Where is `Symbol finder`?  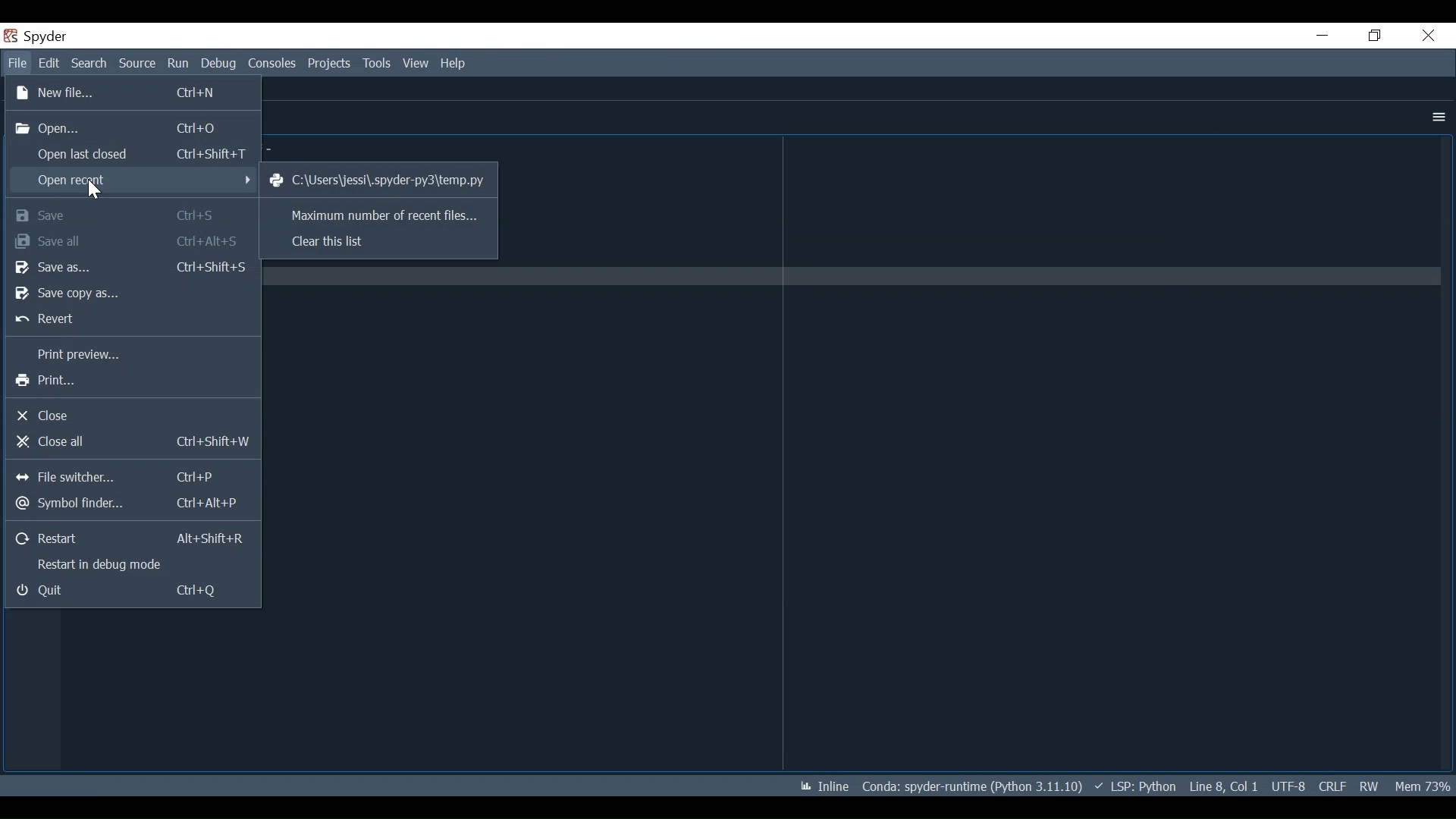
Symbol finder is located at coordinates (129, 504).